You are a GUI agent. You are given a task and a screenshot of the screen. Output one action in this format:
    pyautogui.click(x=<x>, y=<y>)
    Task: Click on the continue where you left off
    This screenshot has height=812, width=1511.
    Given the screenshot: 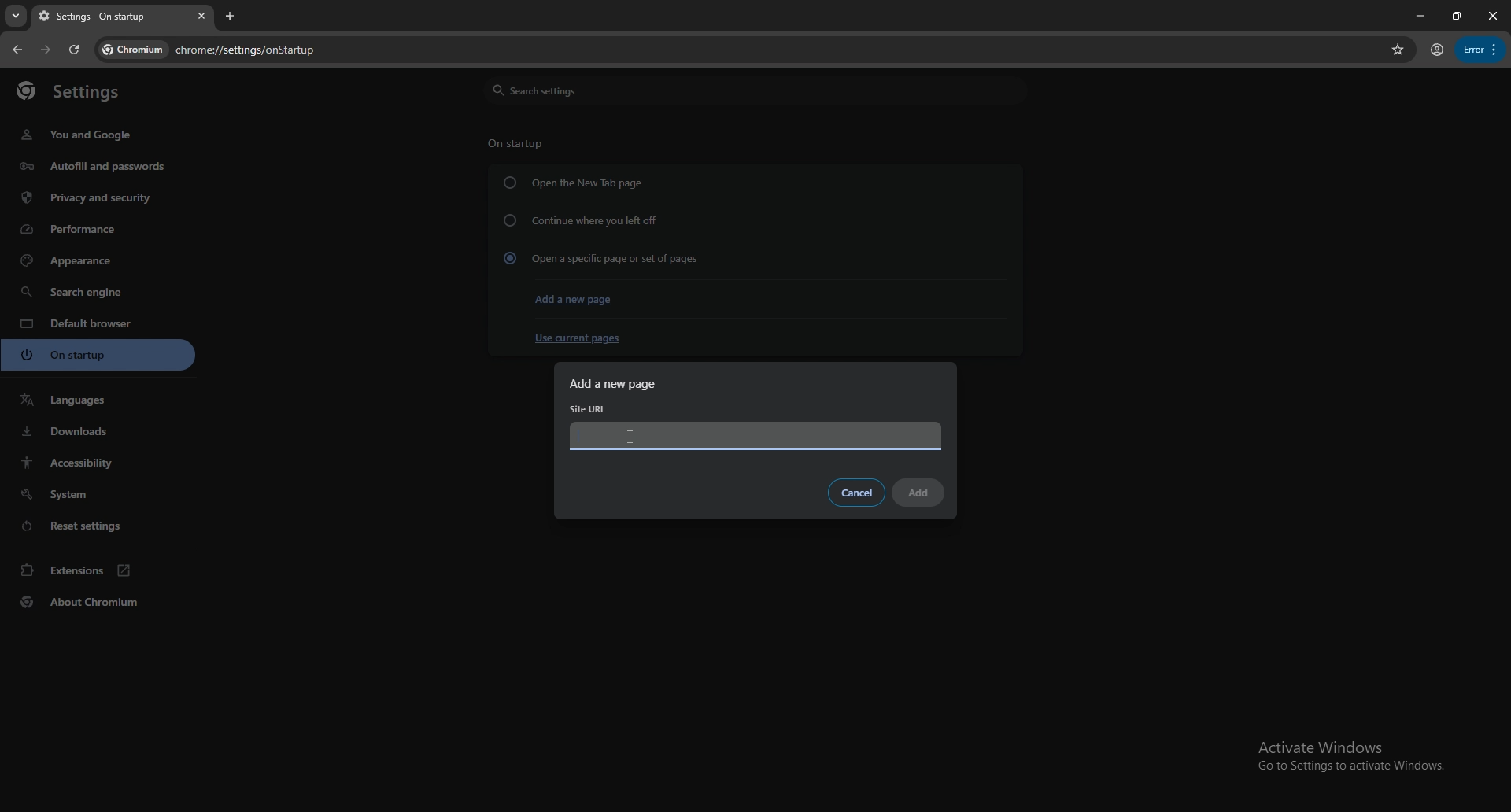 What is the action you would take?
    pyautogui.click(x=582, y=219)
    